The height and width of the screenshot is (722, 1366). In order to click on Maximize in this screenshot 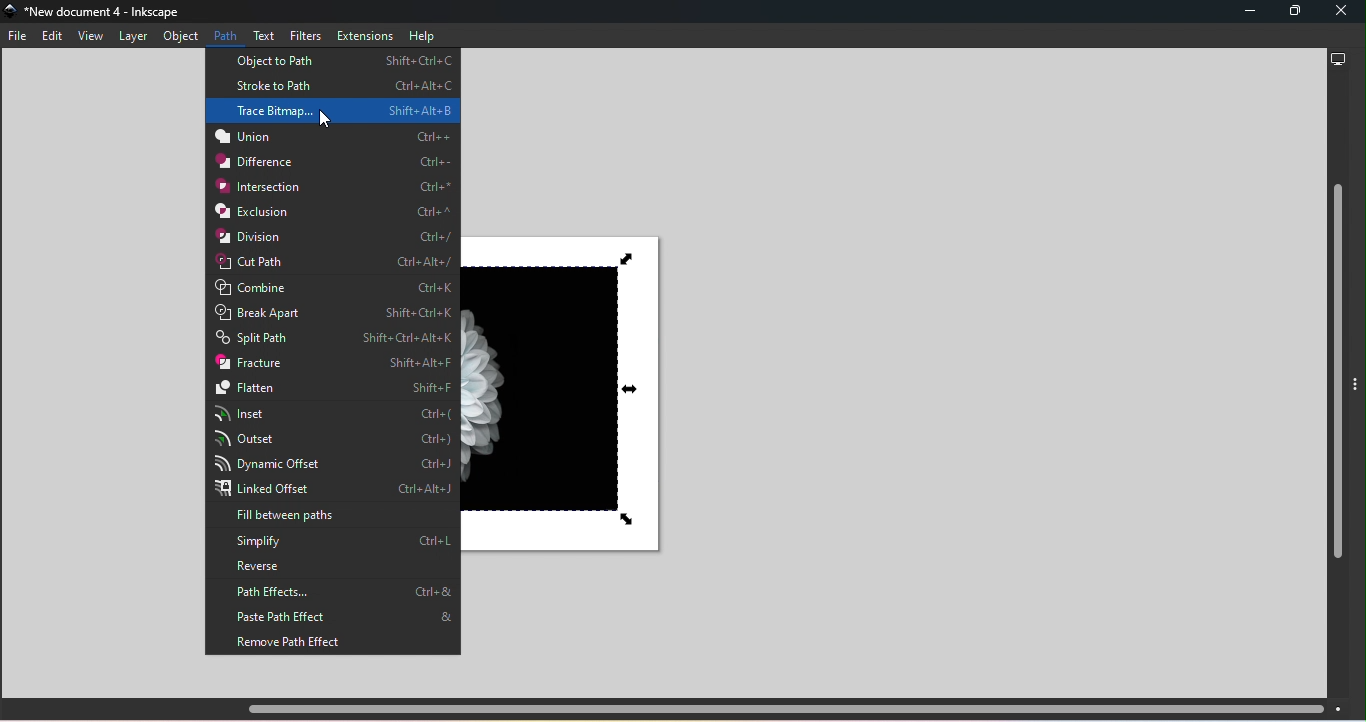, I will do `click(1292, 14)`.